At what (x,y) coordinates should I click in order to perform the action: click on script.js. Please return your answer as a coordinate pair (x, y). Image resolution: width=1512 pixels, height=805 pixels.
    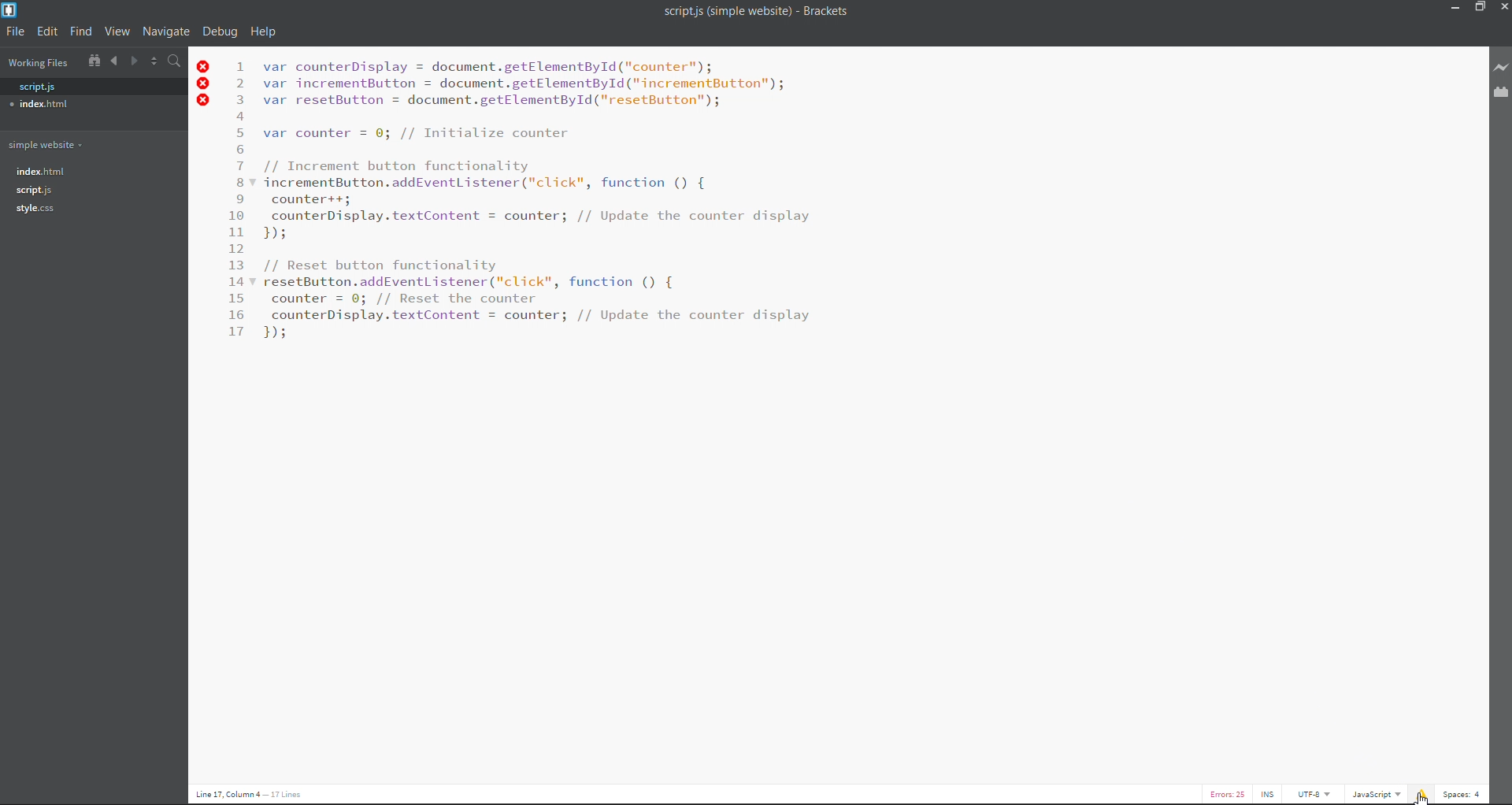
    Looking at the image, I should click on (35, 87).